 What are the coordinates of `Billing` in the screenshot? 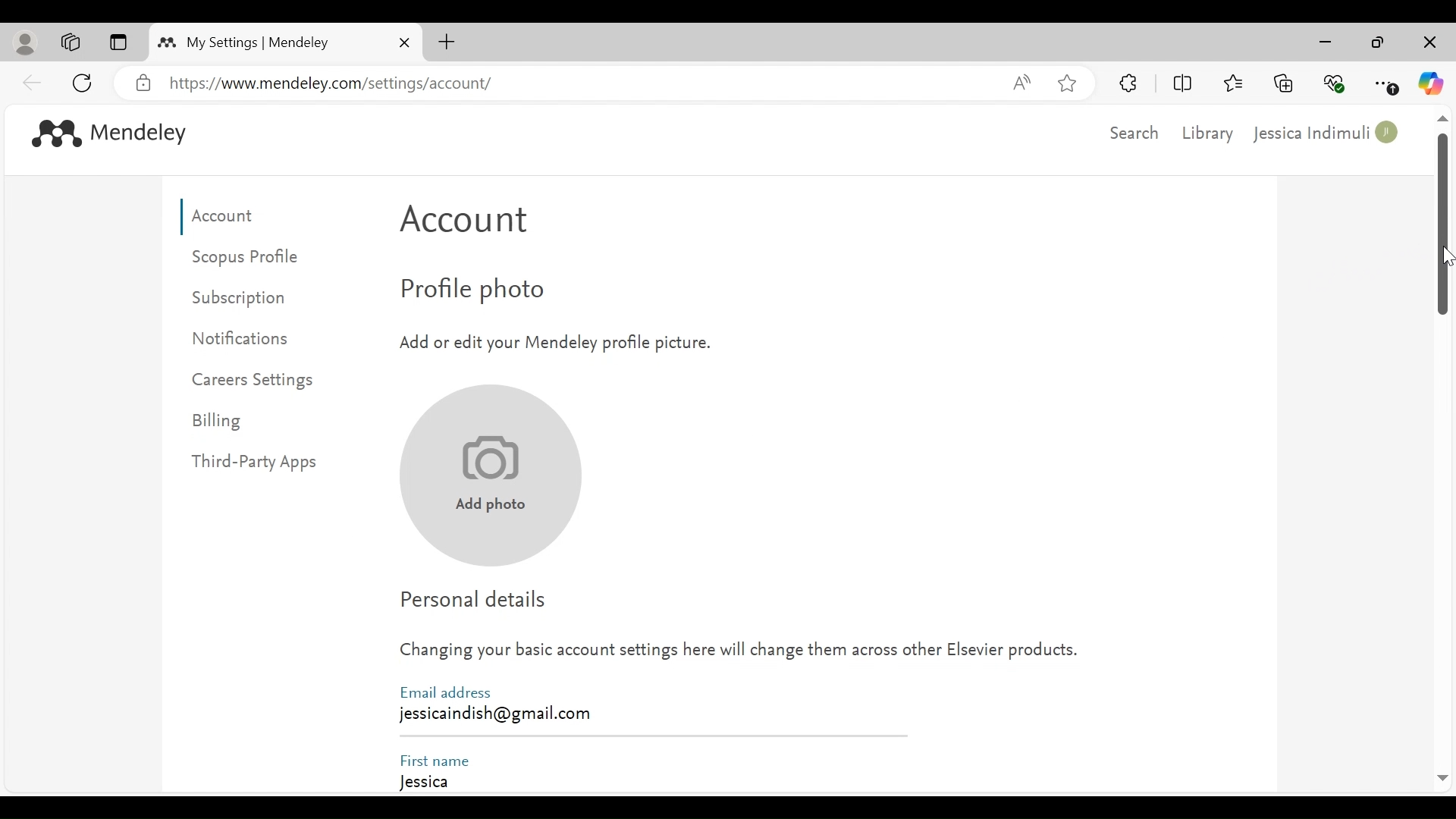 It's located at (220, 422).